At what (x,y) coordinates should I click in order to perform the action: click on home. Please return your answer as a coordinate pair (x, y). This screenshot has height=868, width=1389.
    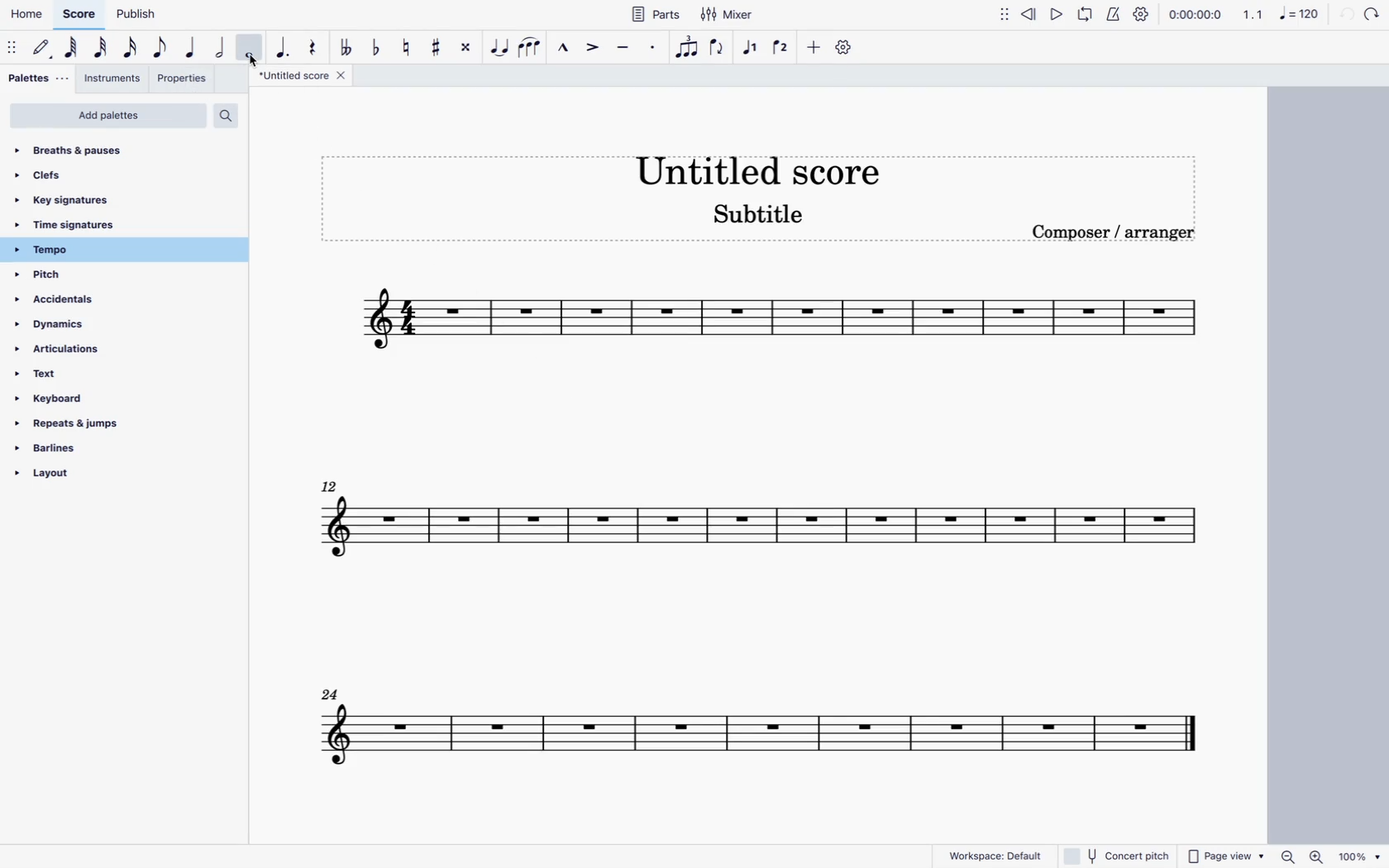
    Looking at the image, I should click on (28, 14).